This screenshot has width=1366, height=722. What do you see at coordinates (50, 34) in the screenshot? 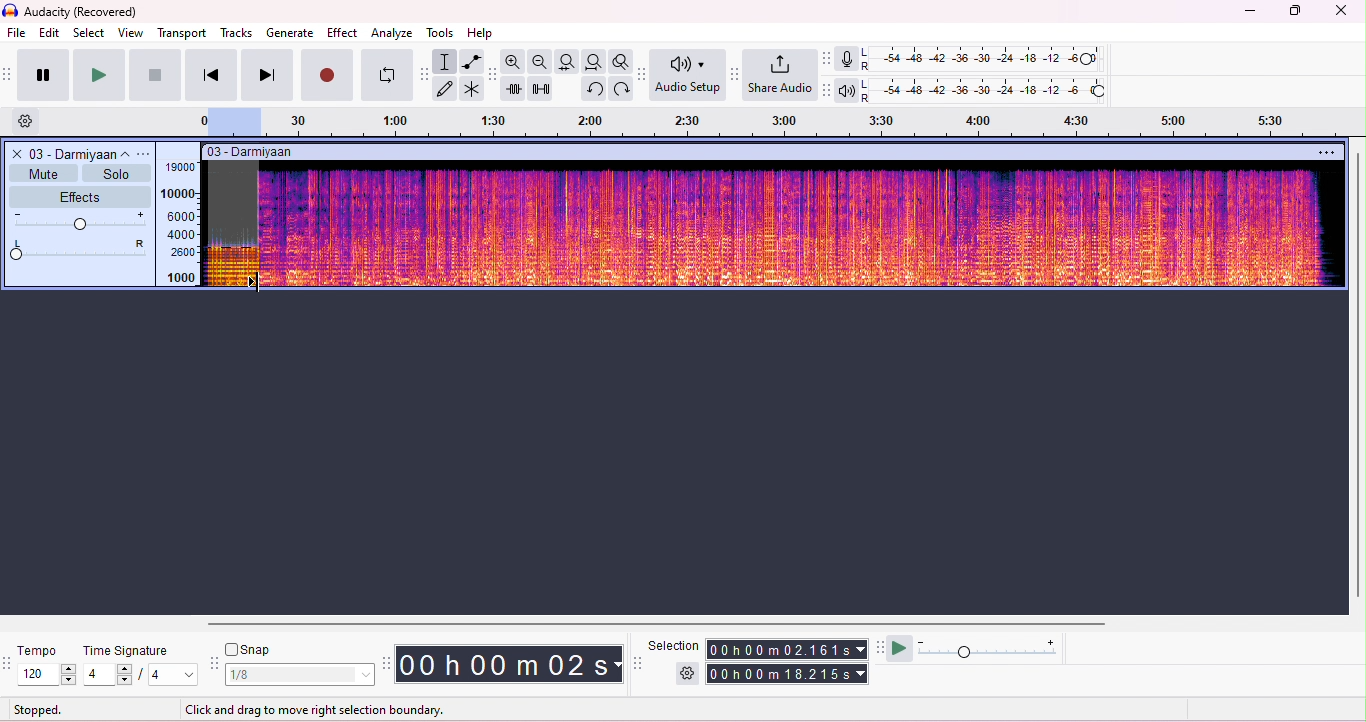
I see `edit` at bounding box center [50, 34].